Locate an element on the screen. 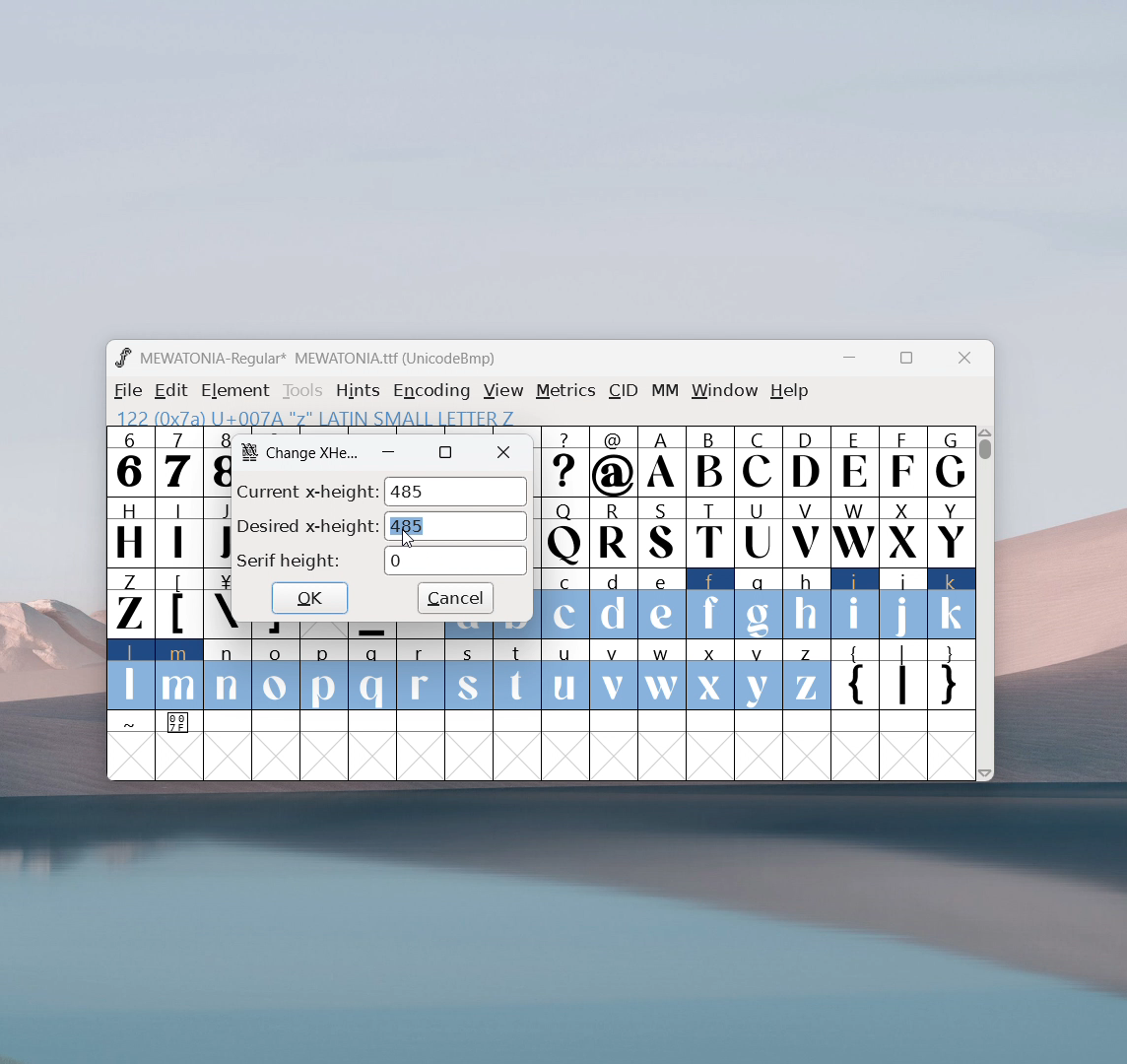  file is located at coordinates (125, 391).